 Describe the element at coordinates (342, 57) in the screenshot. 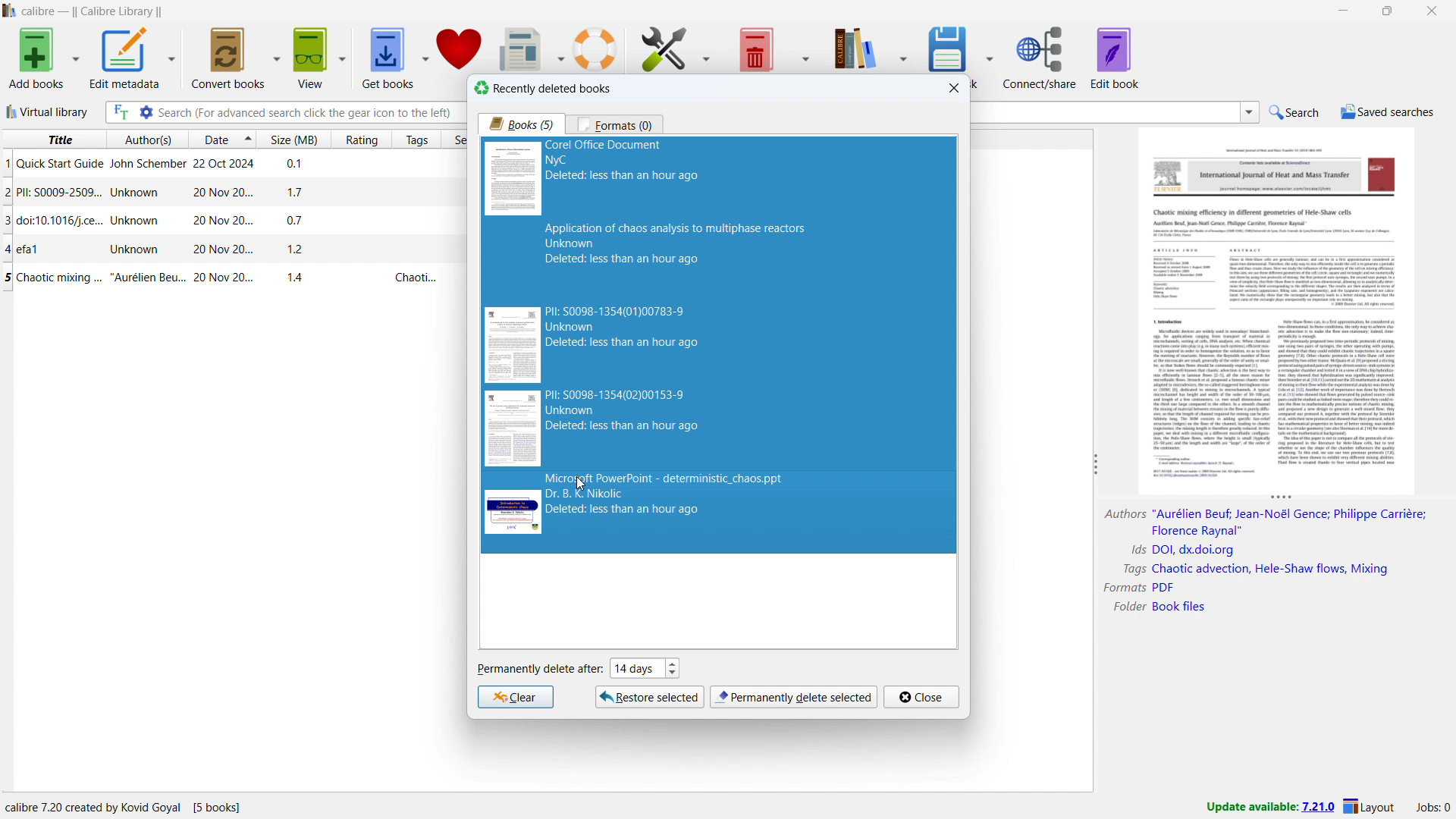

I see `view options` at that location.